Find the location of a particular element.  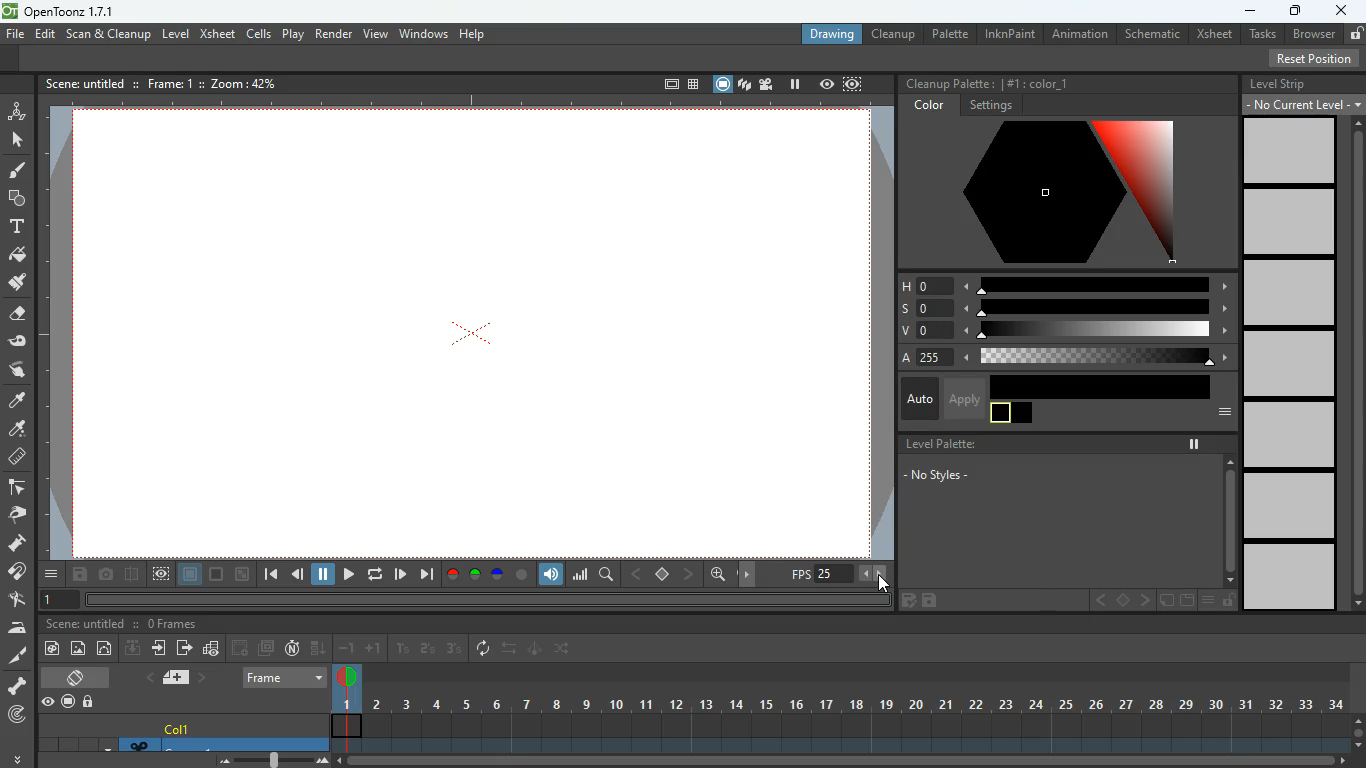

reverse is located at coordinates (483, 650).